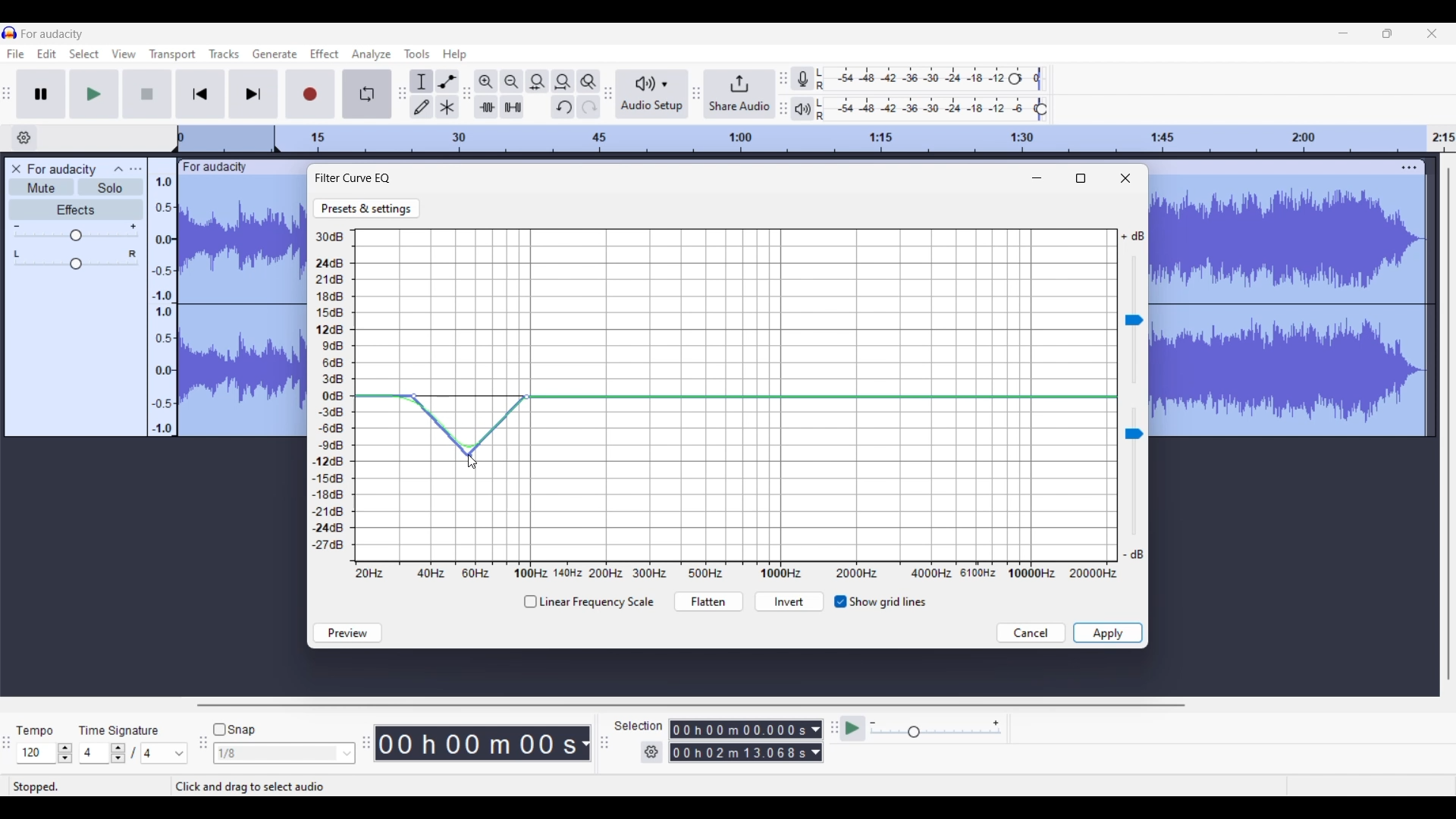 This screenshot has height=819, width=1456. What do you see at coordinates (271, 55) in the screenshot?
I see `Generate menu` at bounding box center [271, 55].